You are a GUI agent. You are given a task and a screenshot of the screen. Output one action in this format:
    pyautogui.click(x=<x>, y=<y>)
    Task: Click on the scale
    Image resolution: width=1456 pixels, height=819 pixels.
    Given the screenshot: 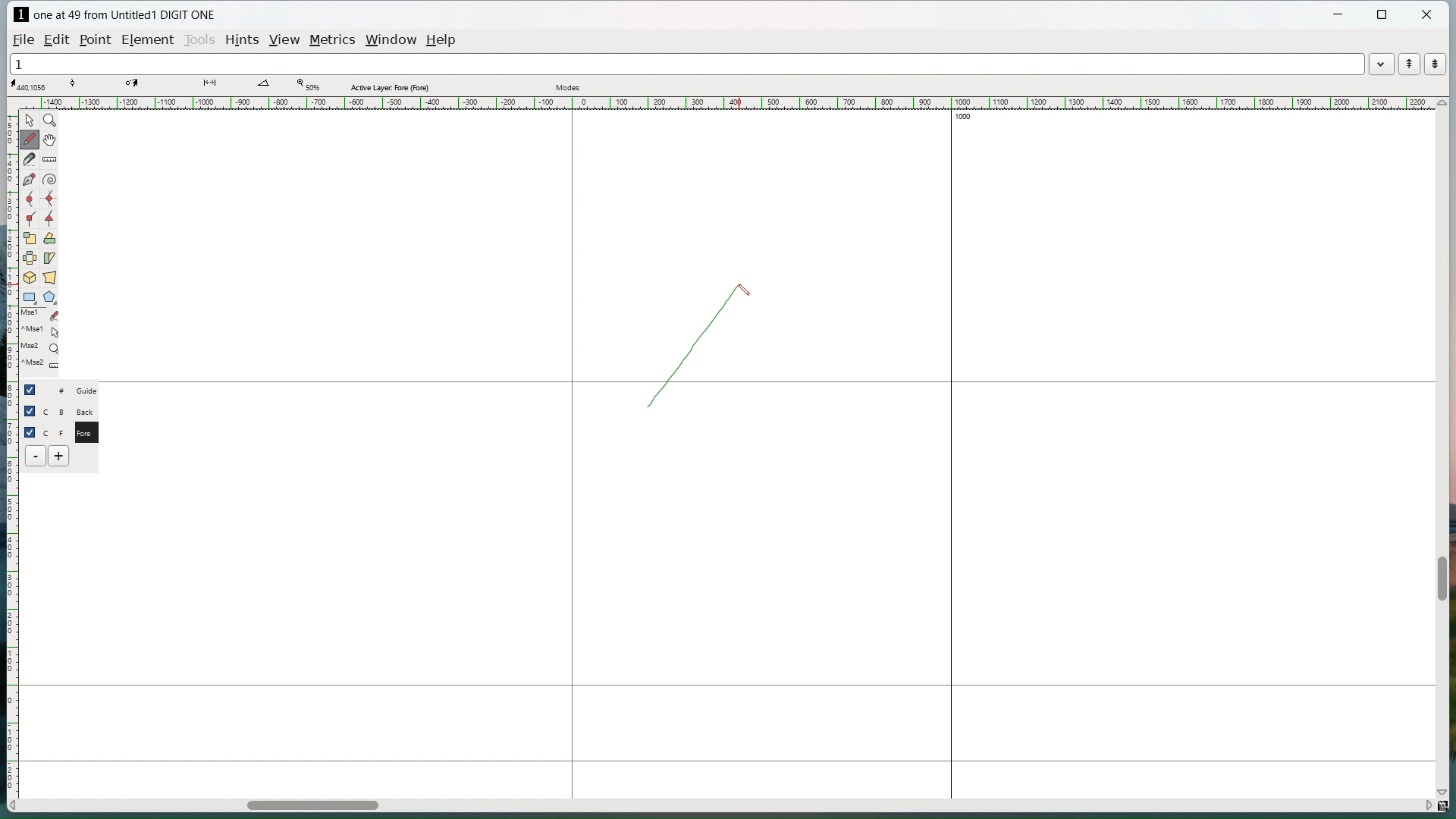 What is the action you would take?
    pyautogui.click(x=30, y=237)
    